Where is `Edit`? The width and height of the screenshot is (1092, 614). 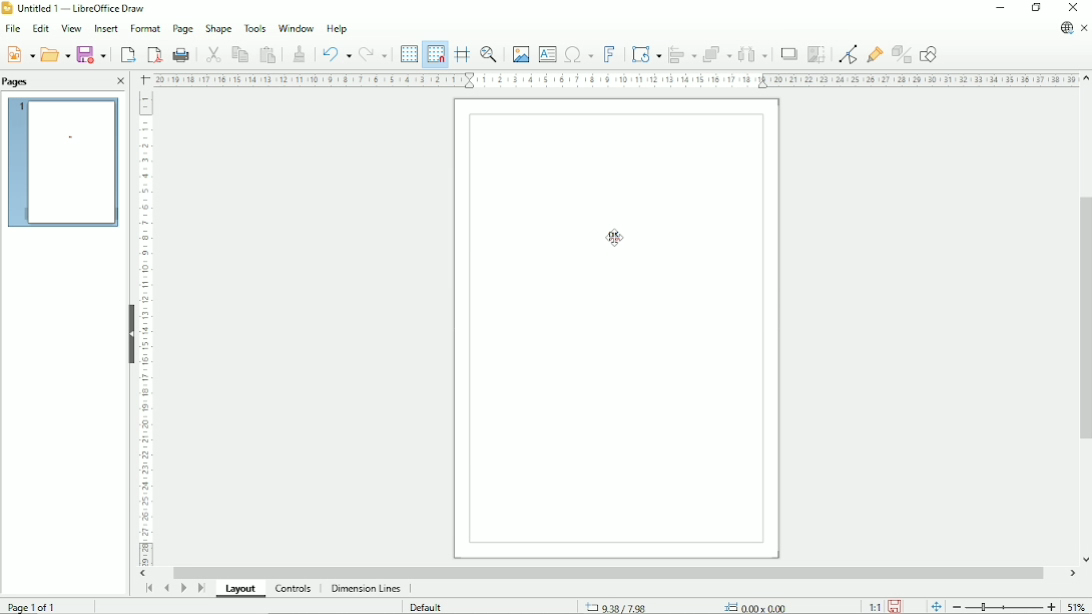 Edit is located at coordinates (40, 28).